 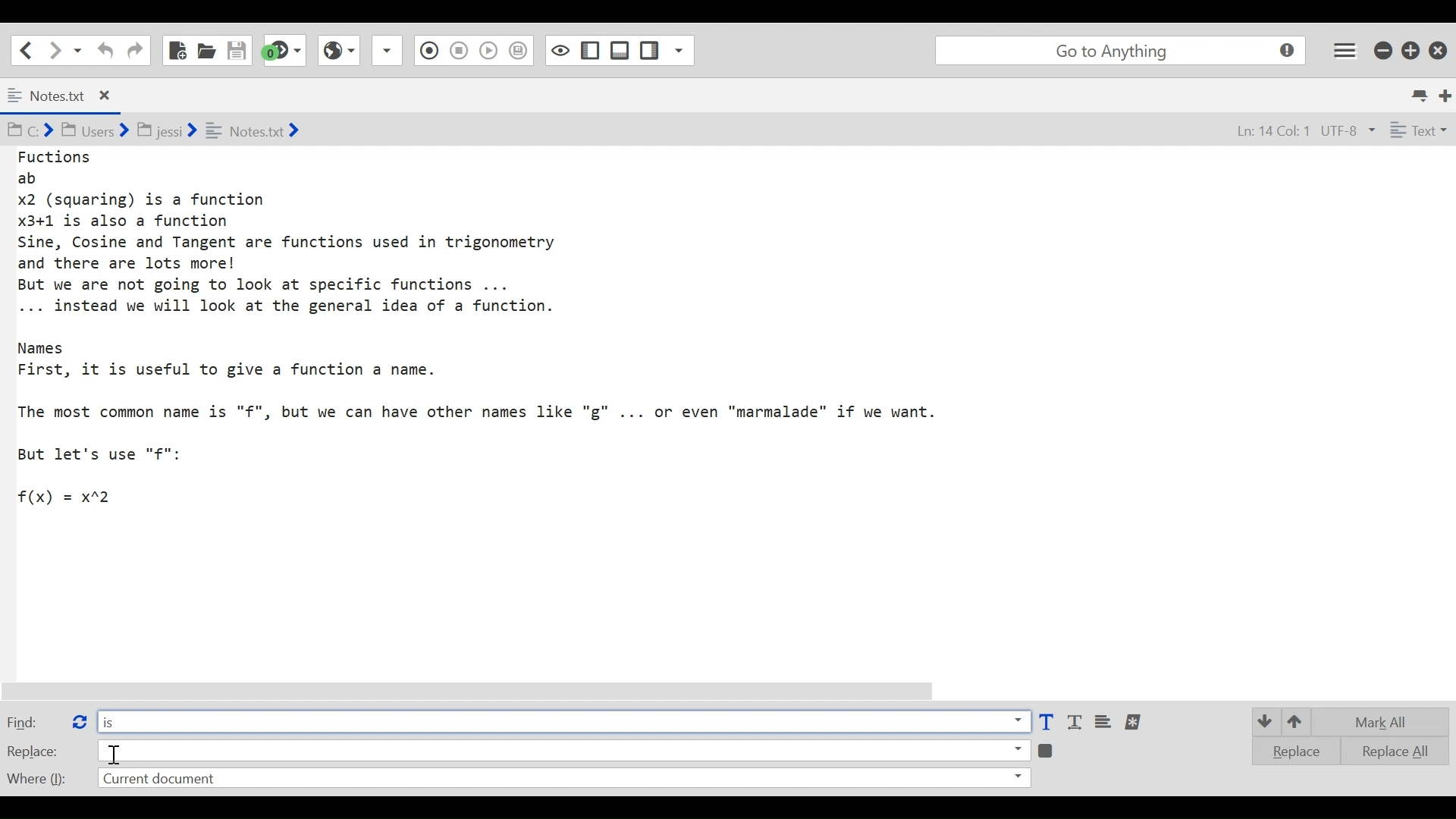 What do you see at coordinates (1417, 133) in the screenshot?
I see `File Type` at bounding box center [1417, 133].